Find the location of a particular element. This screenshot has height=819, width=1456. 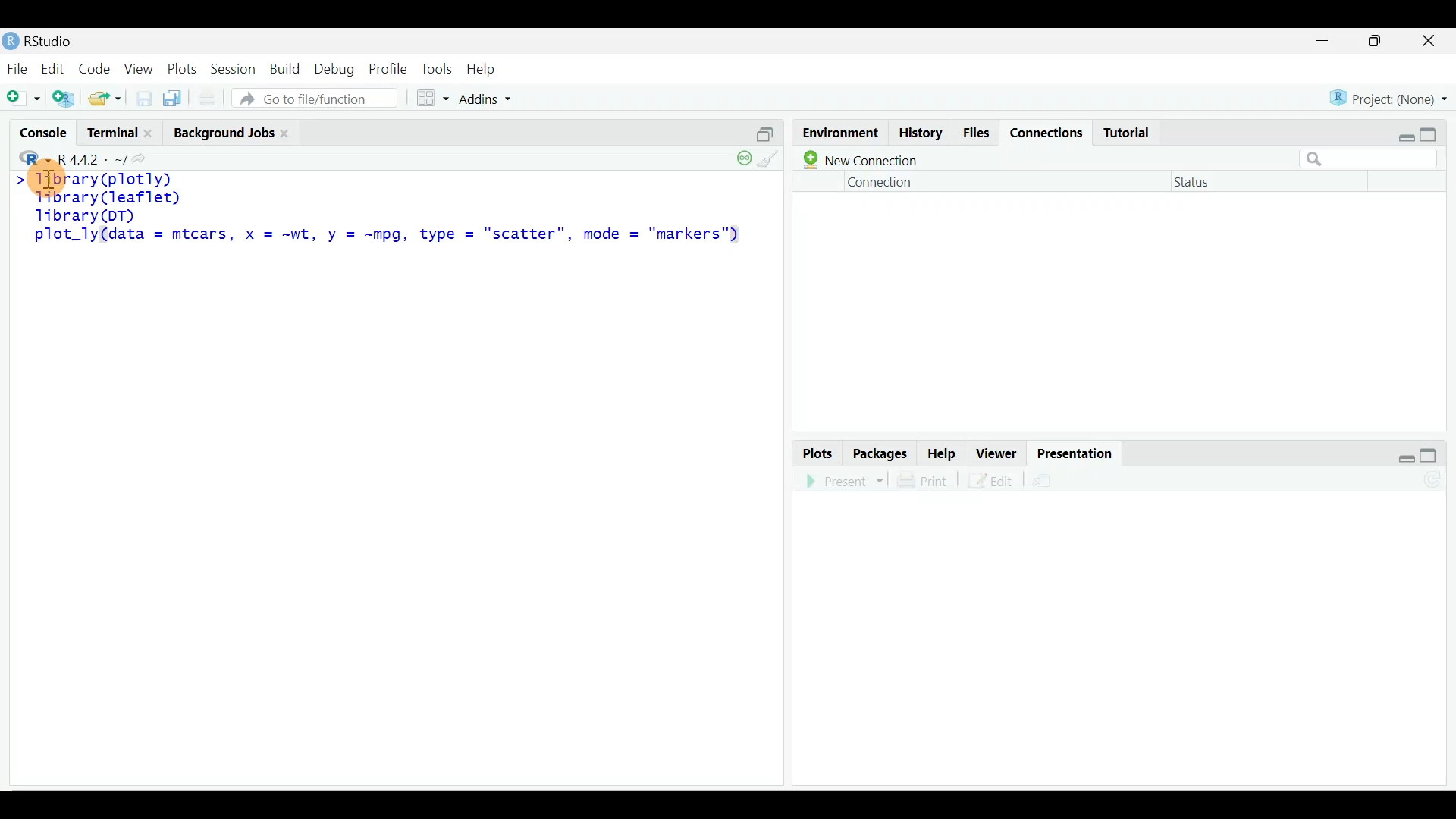

Plots is located at coordinates (182, 66).